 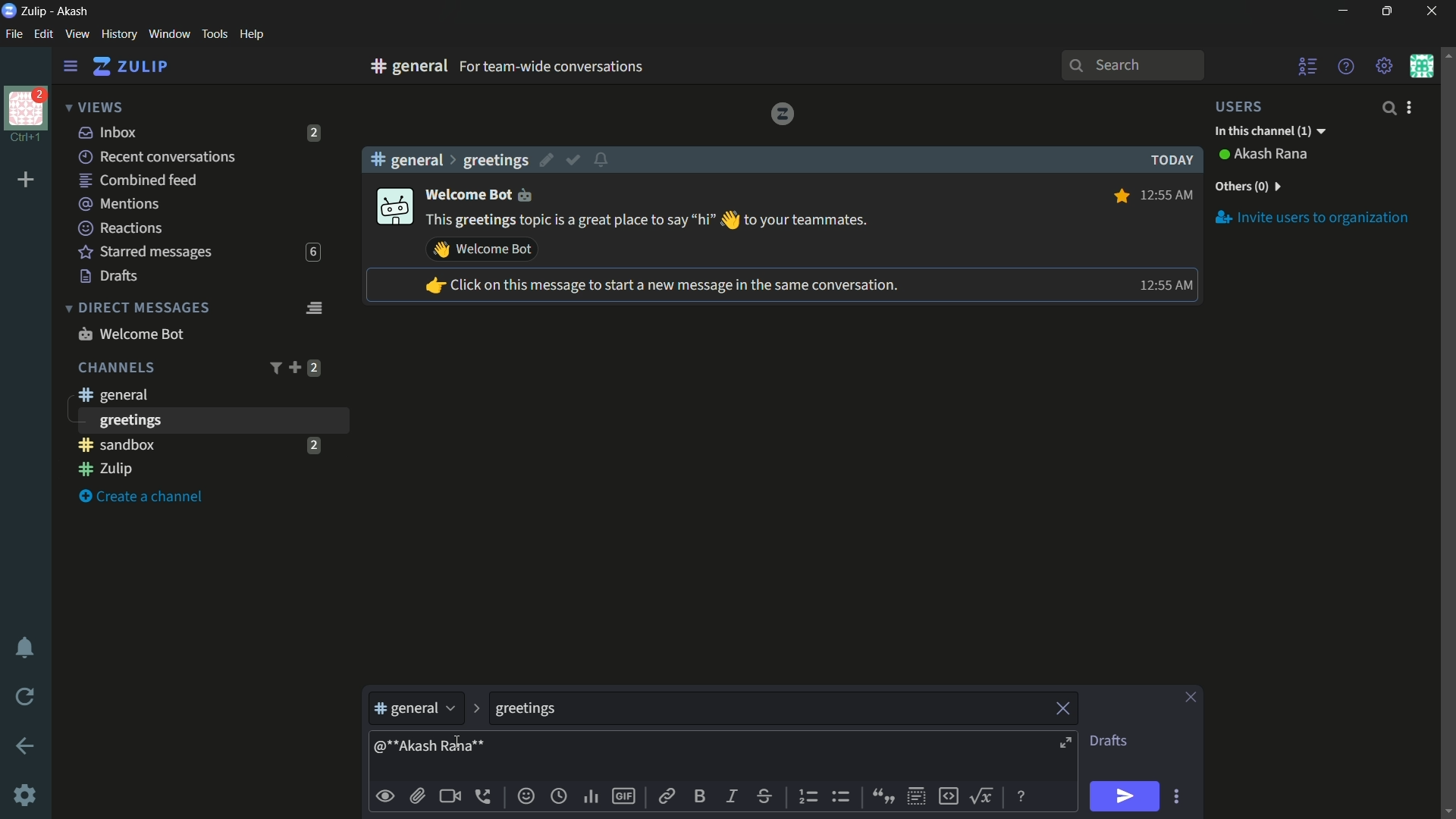 What do you see at coordinates (185, 444) in the screenshot?
I see `sandbox` at bounding box center [185, 444].